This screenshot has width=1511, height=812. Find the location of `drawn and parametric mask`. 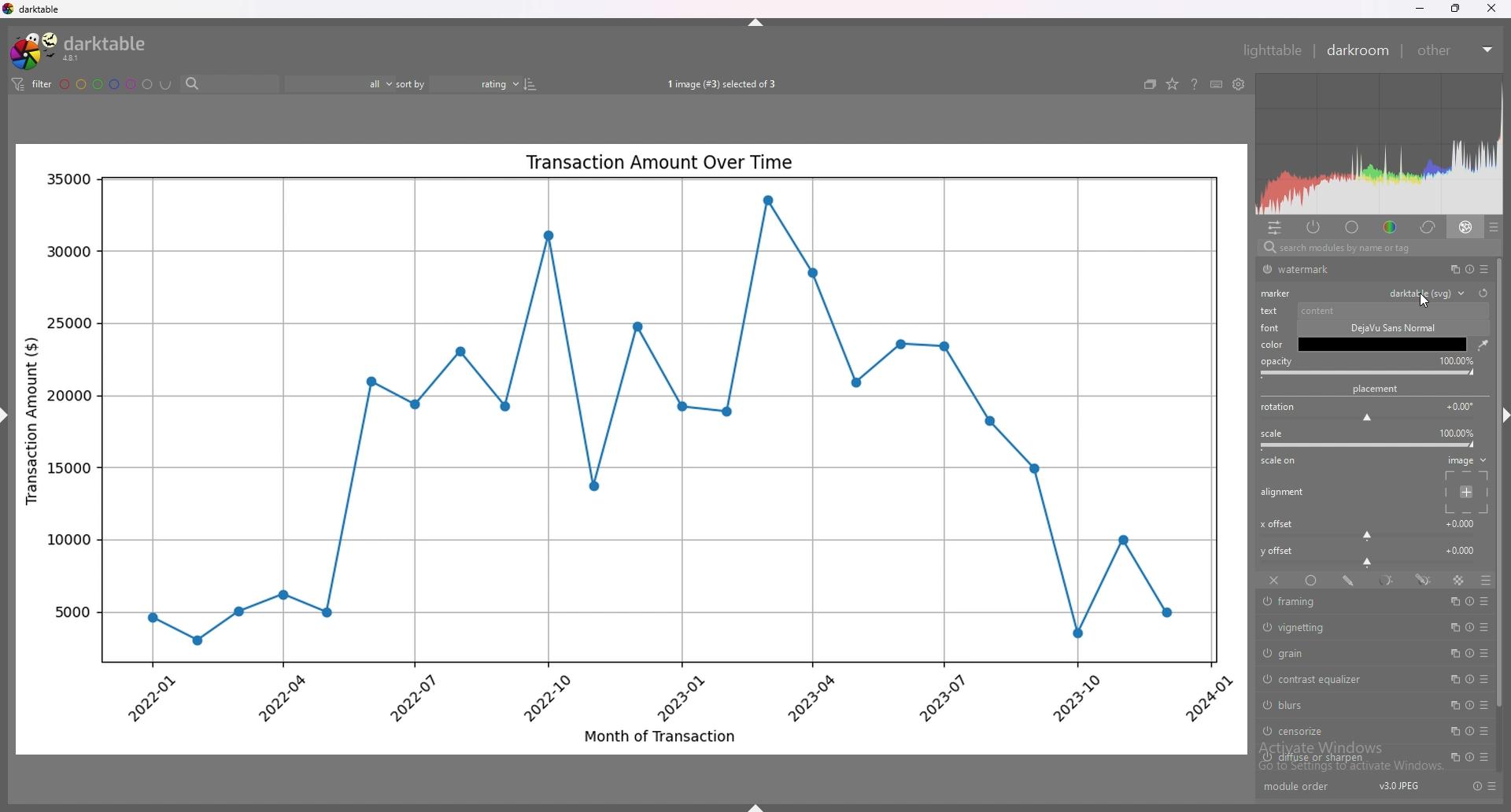

drawn and parametric mask is located at coordinates (1425, 580).